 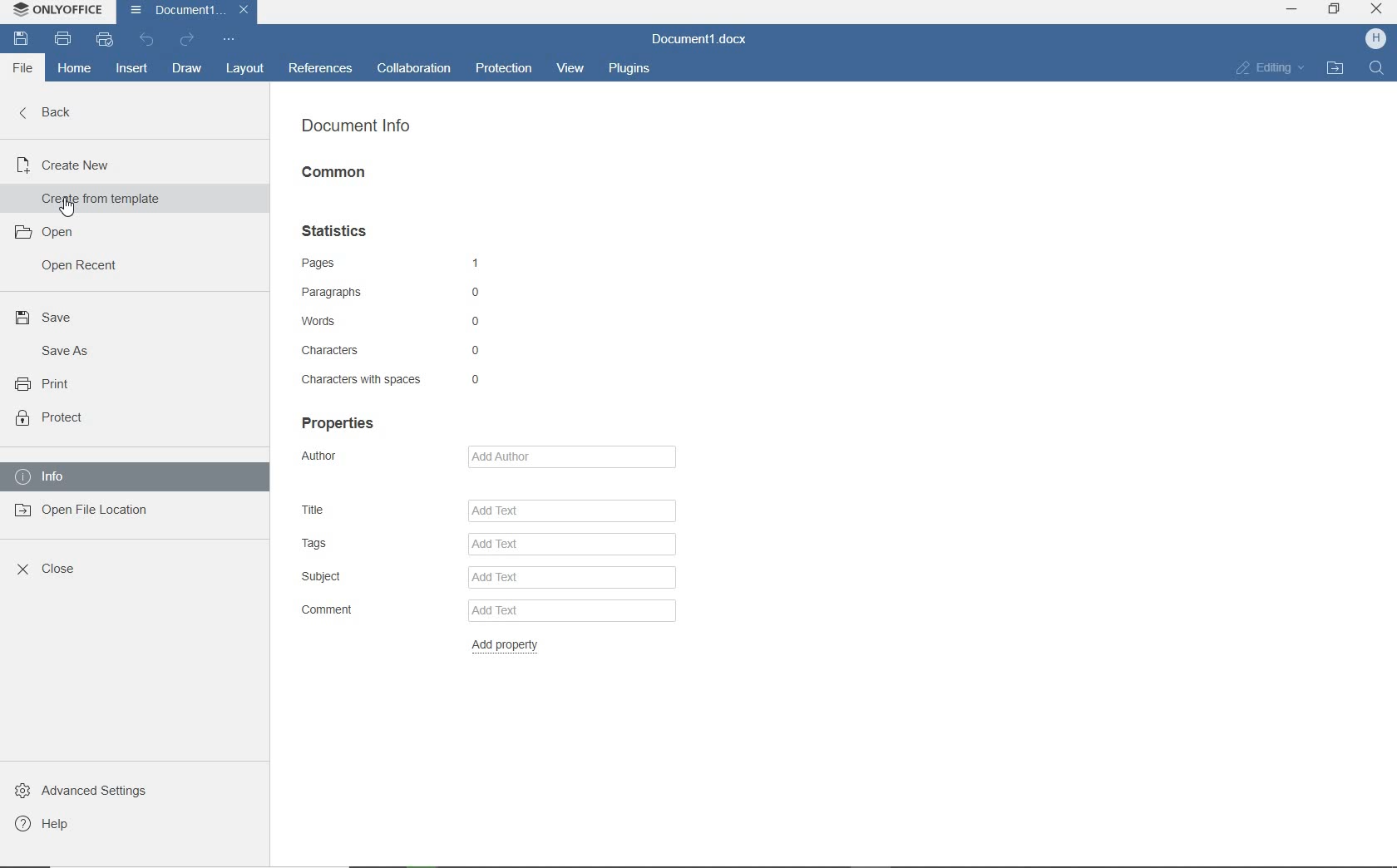 I want to click on close, so click(x=48, y=570).